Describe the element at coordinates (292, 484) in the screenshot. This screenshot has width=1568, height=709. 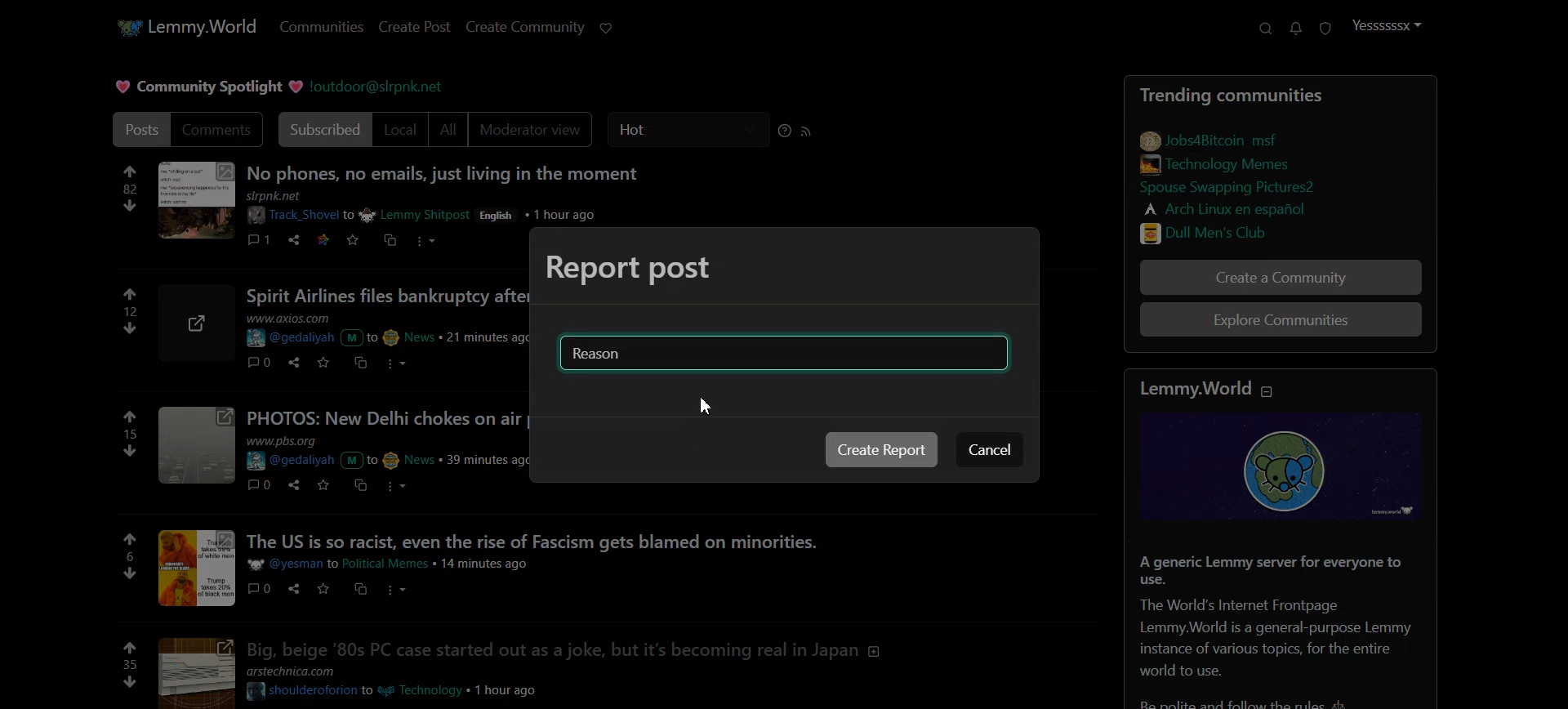
I see `share` at that location.